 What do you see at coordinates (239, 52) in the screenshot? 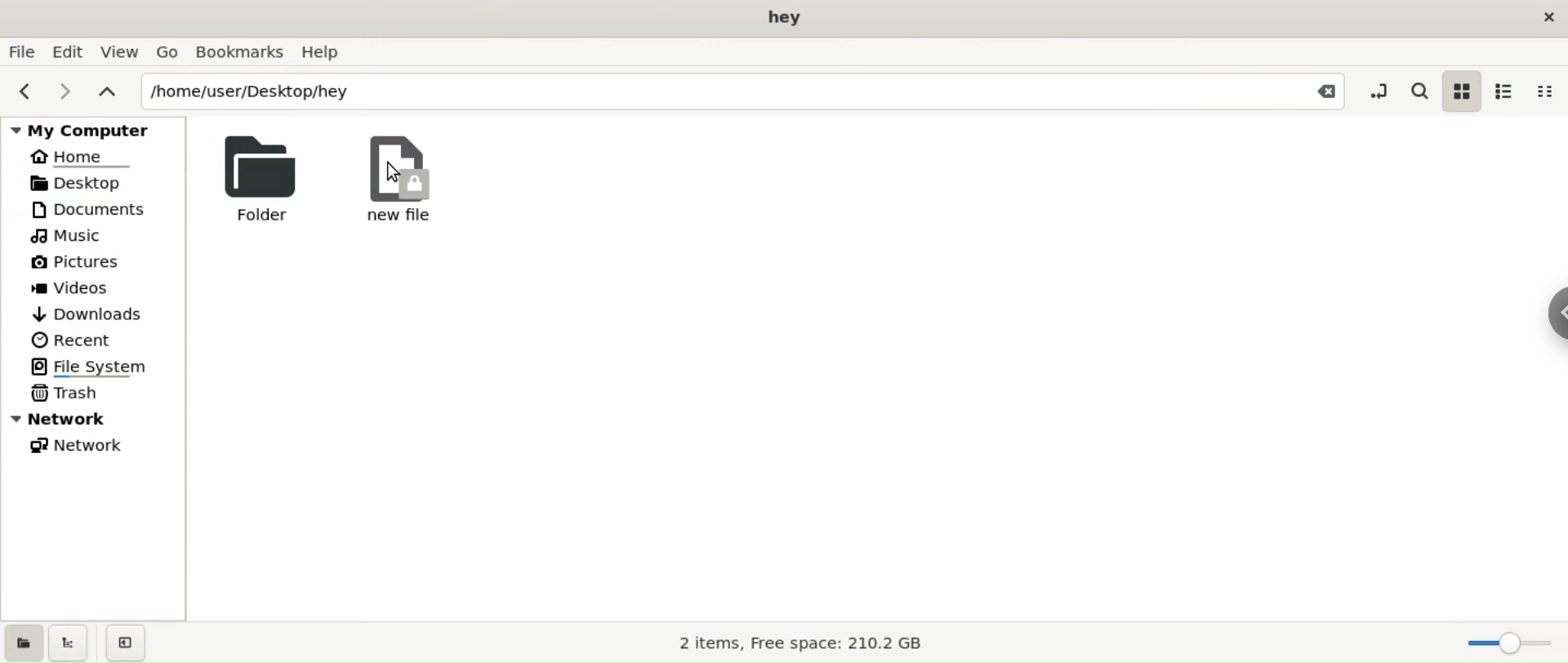
I see `Bookmarks` at bounding box center [239, 52].